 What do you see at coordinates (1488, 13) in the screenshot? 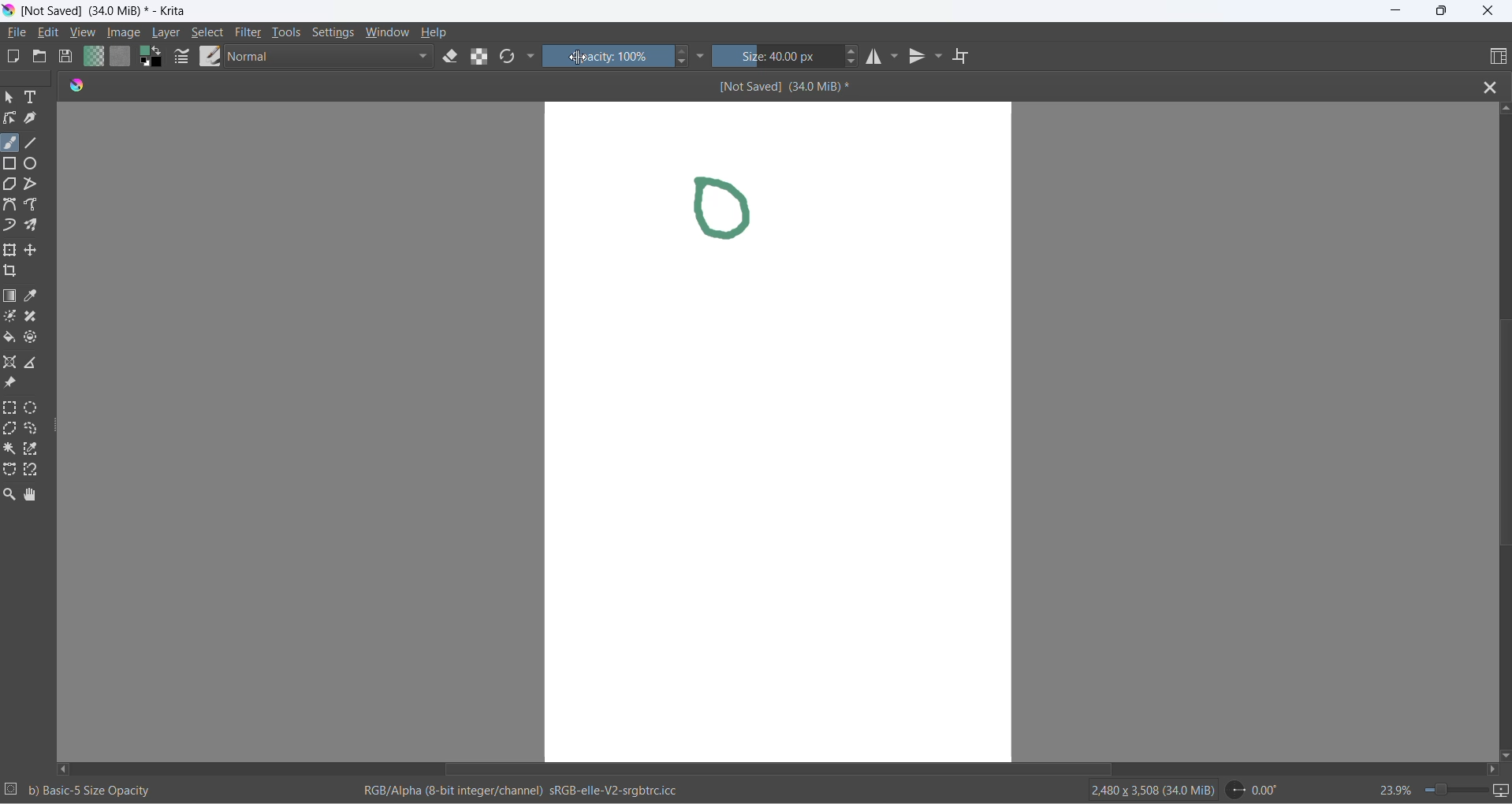
I see `close` at bounding box center [1488, 13].